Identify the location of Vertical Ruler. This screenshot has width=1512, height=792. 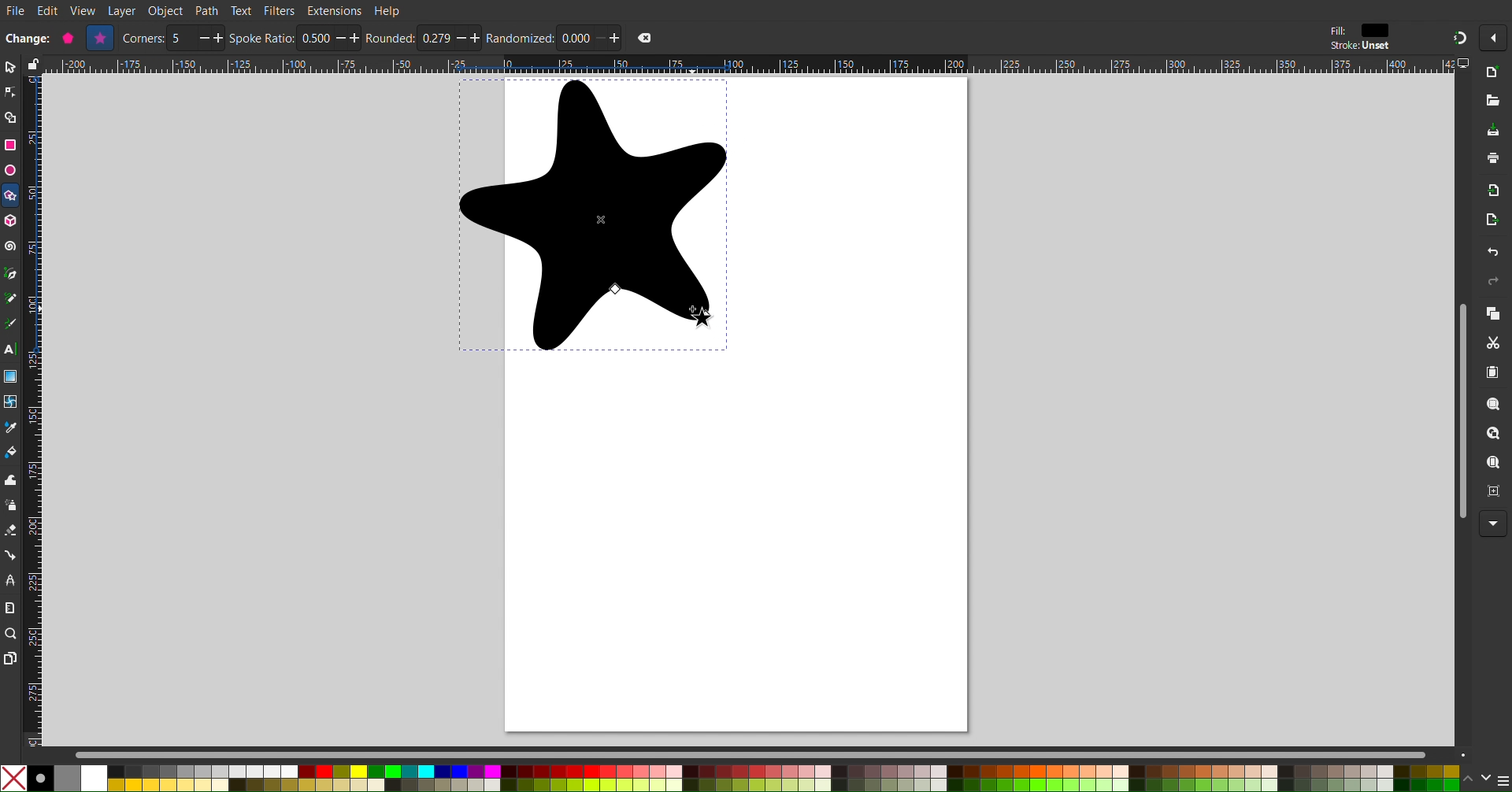
(32, 410).